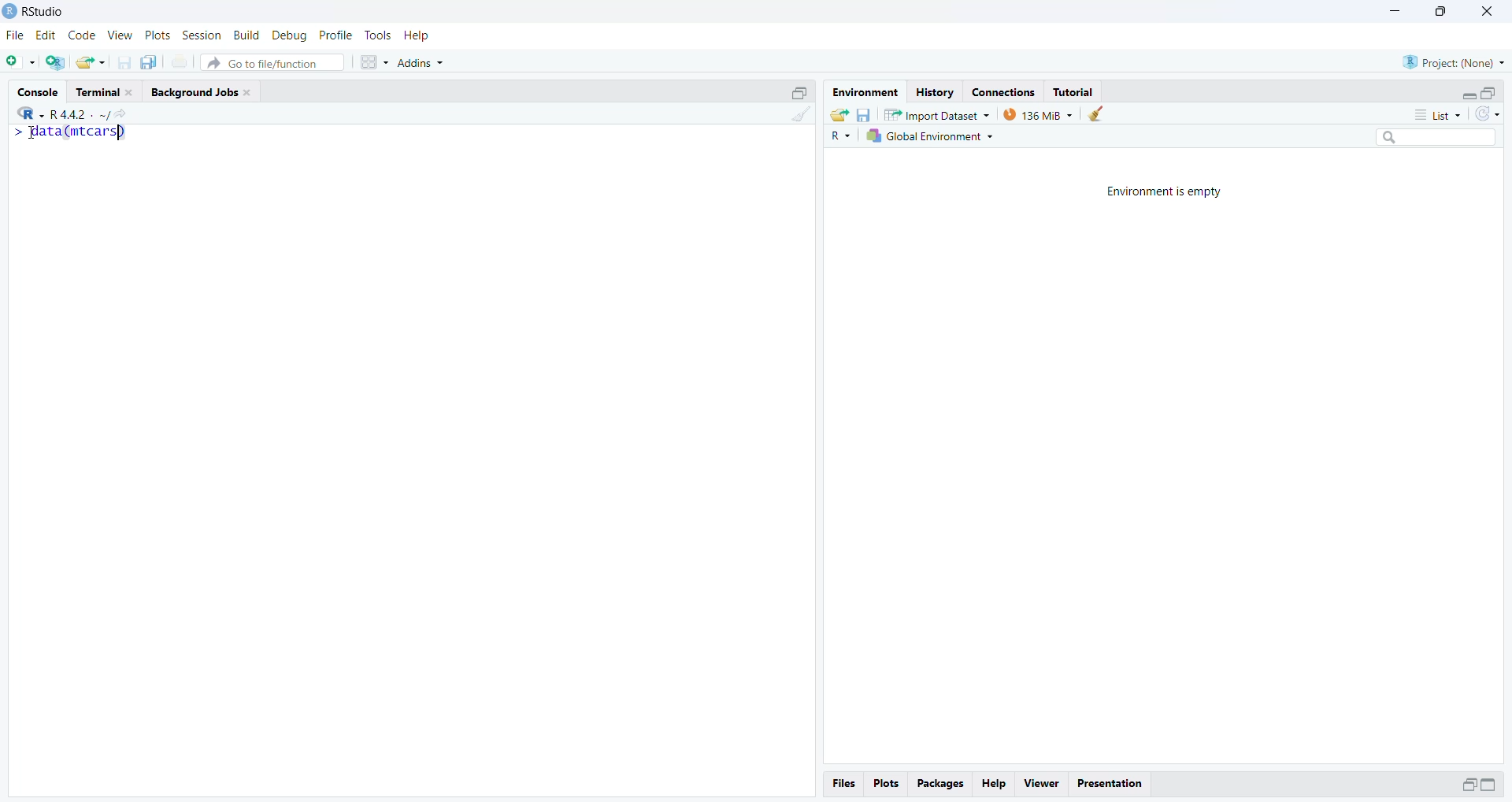  What do you see at coordinates (157, 36) in the screenshot?
I see `Plots` at bounding box center [157, 36].